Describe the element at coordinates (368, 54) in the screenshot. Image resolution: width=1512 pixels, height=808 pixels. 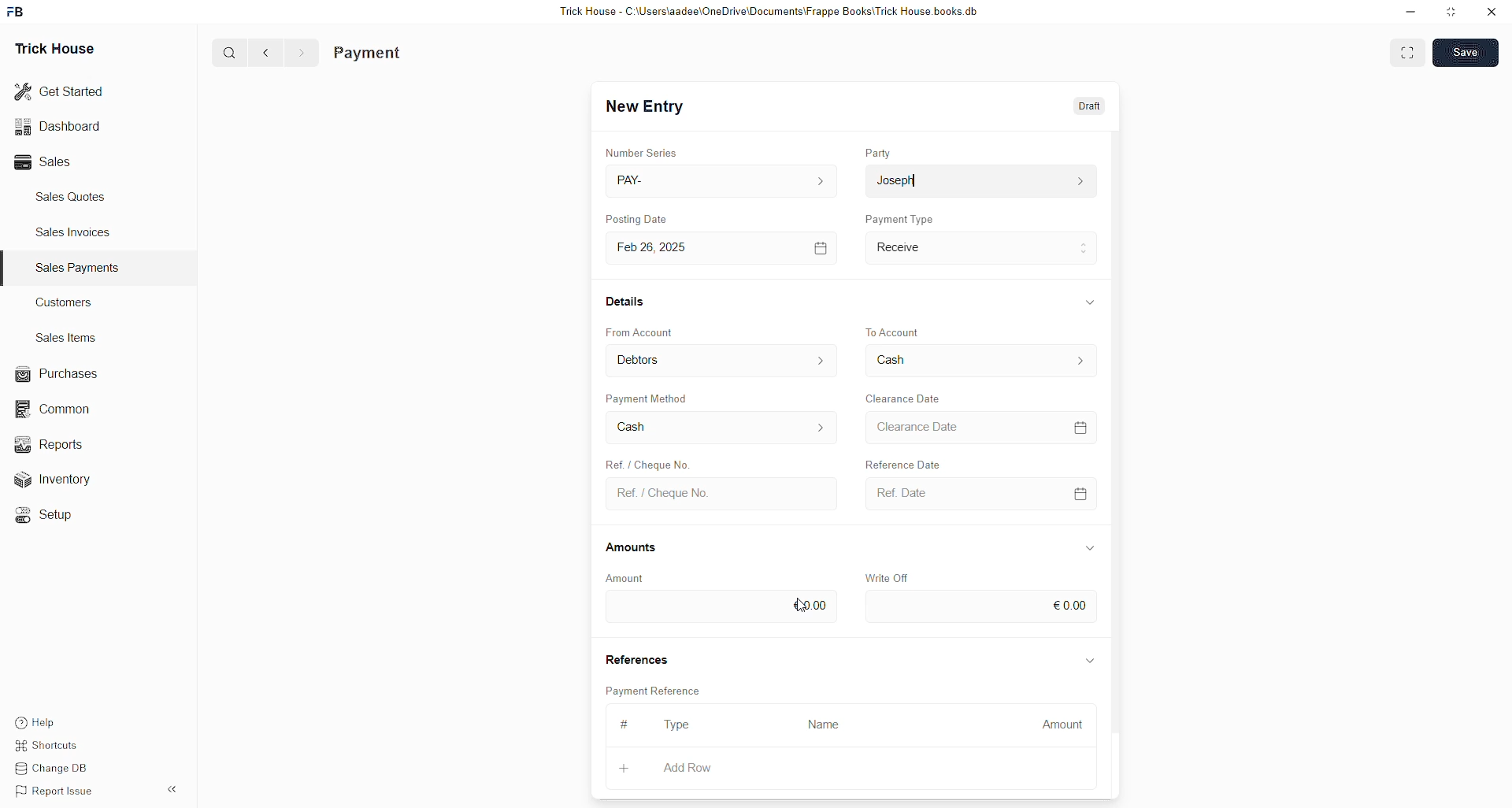
I see `Payment` at that location.